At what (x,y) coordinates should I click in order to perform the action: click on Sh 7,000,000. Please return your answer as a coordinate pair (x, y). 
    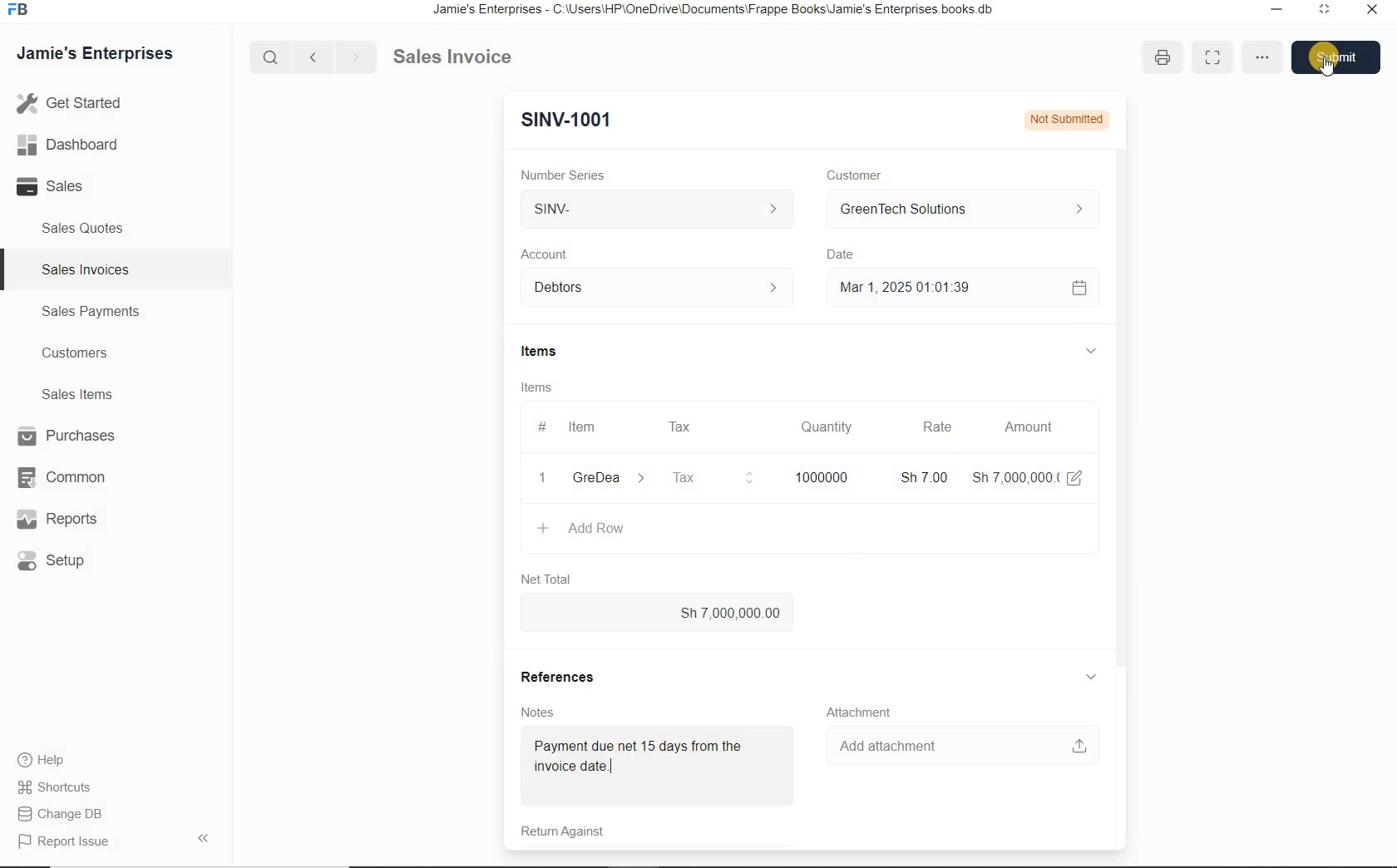
    Looking at the image, I should click on (1013, 477).